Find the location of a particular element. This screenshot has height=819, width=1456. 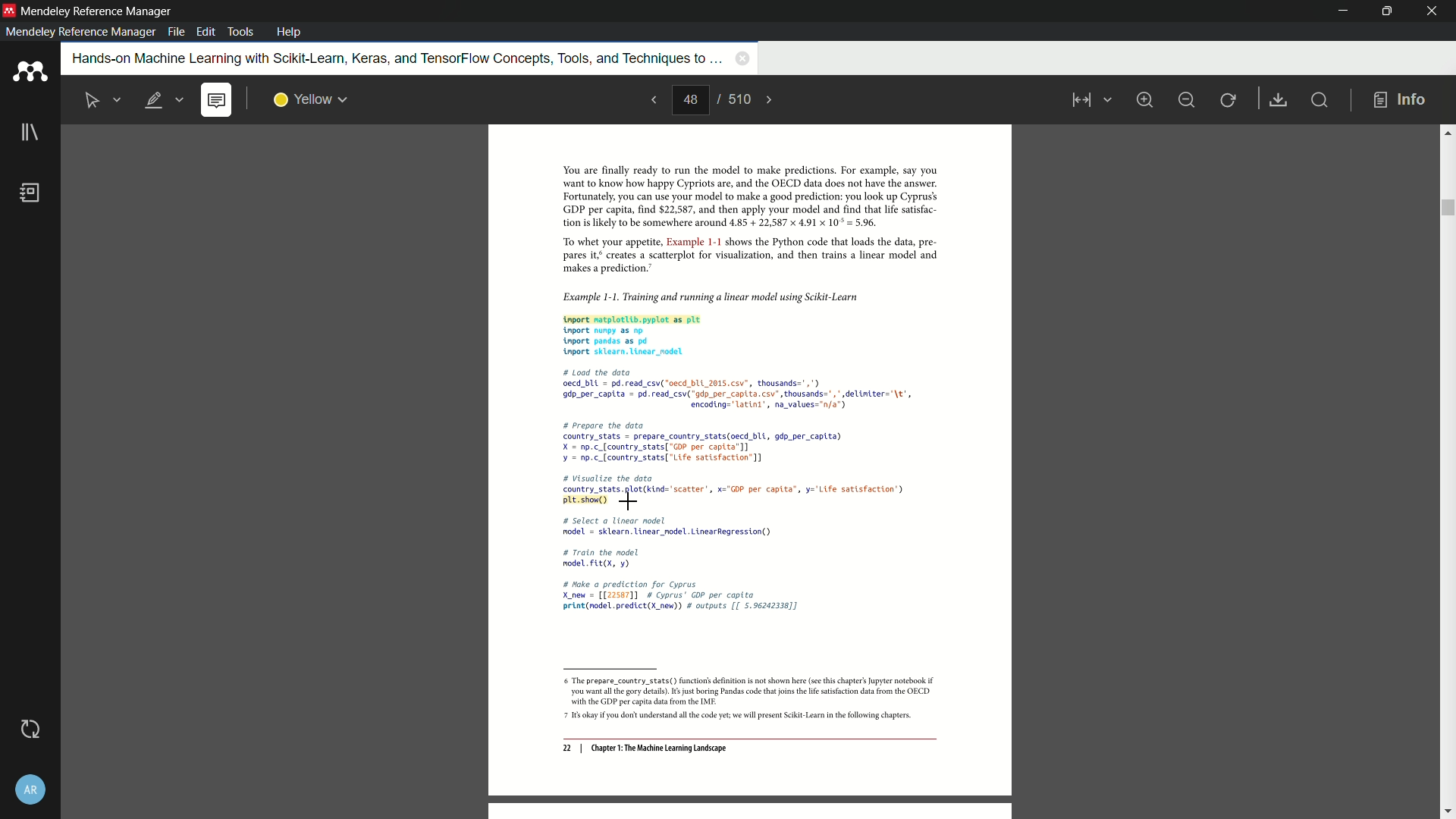

scroll bar is located at coordinates (1446, 208).